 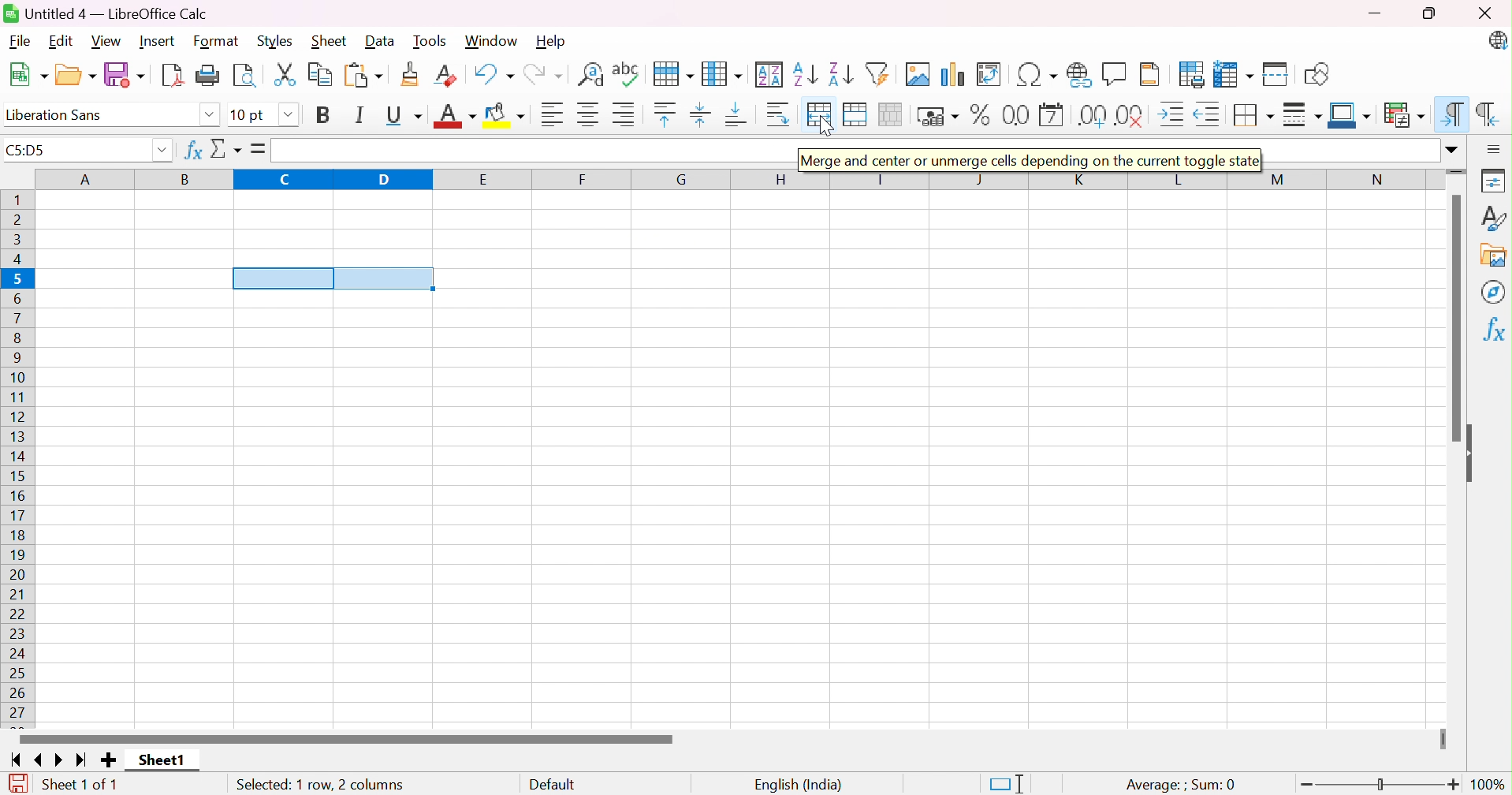 I want to click on Left-To-Right, so click(x=1454, y=113).